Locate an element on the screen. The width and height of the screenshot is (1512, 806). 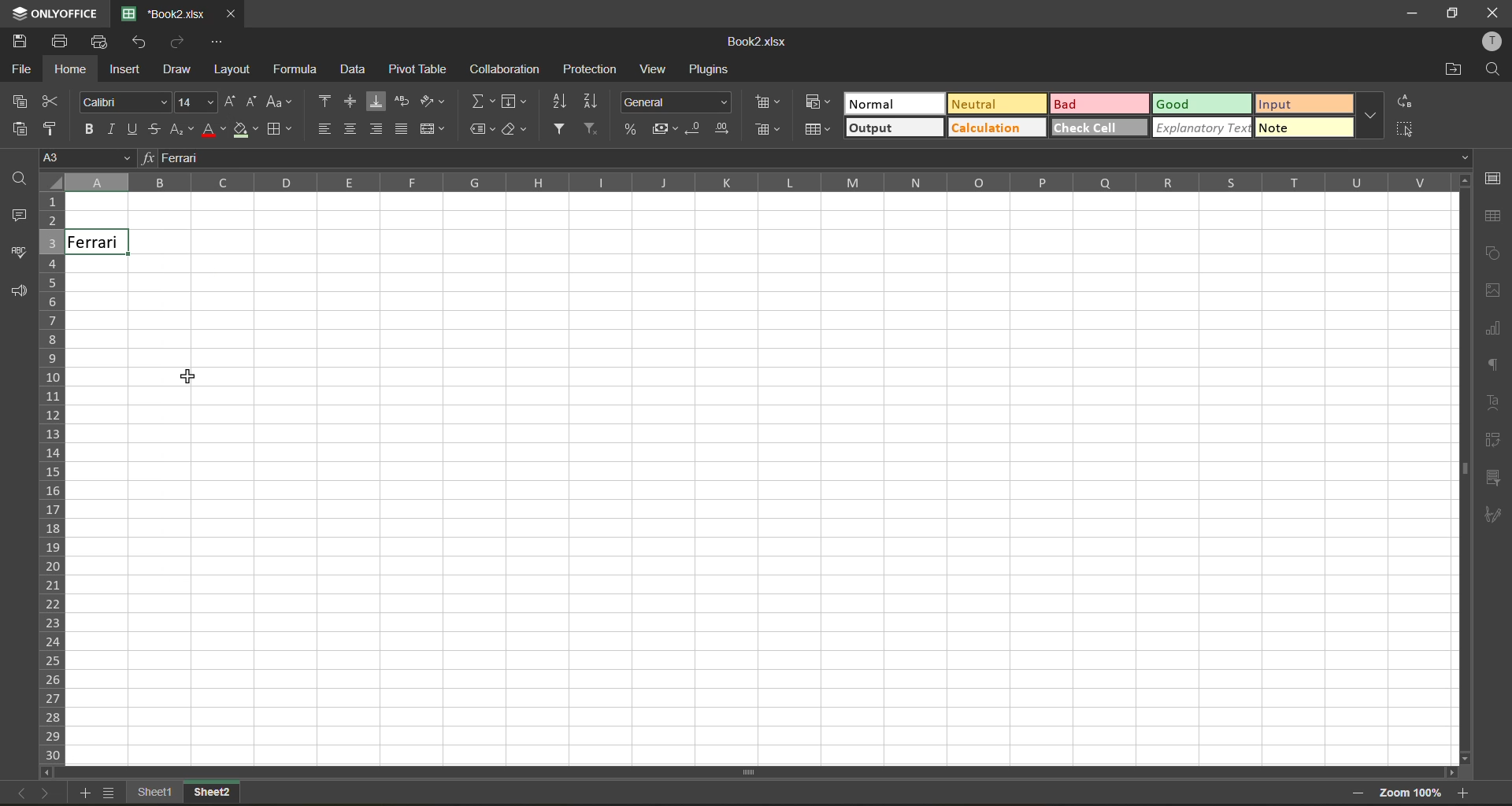
summation is located at coordinates (481, 100).